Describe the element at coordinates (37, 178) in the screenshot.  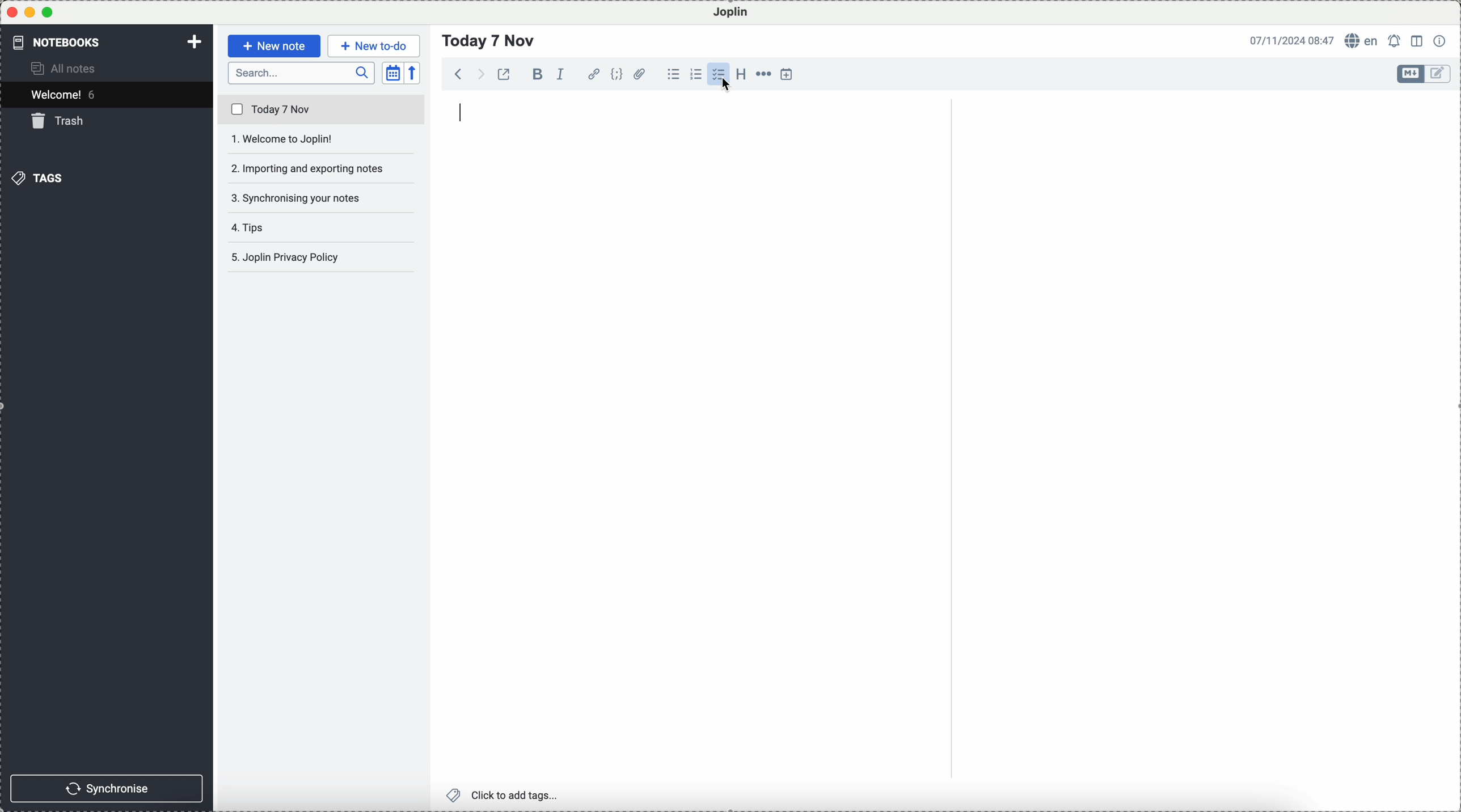
I see `tags` at that location.